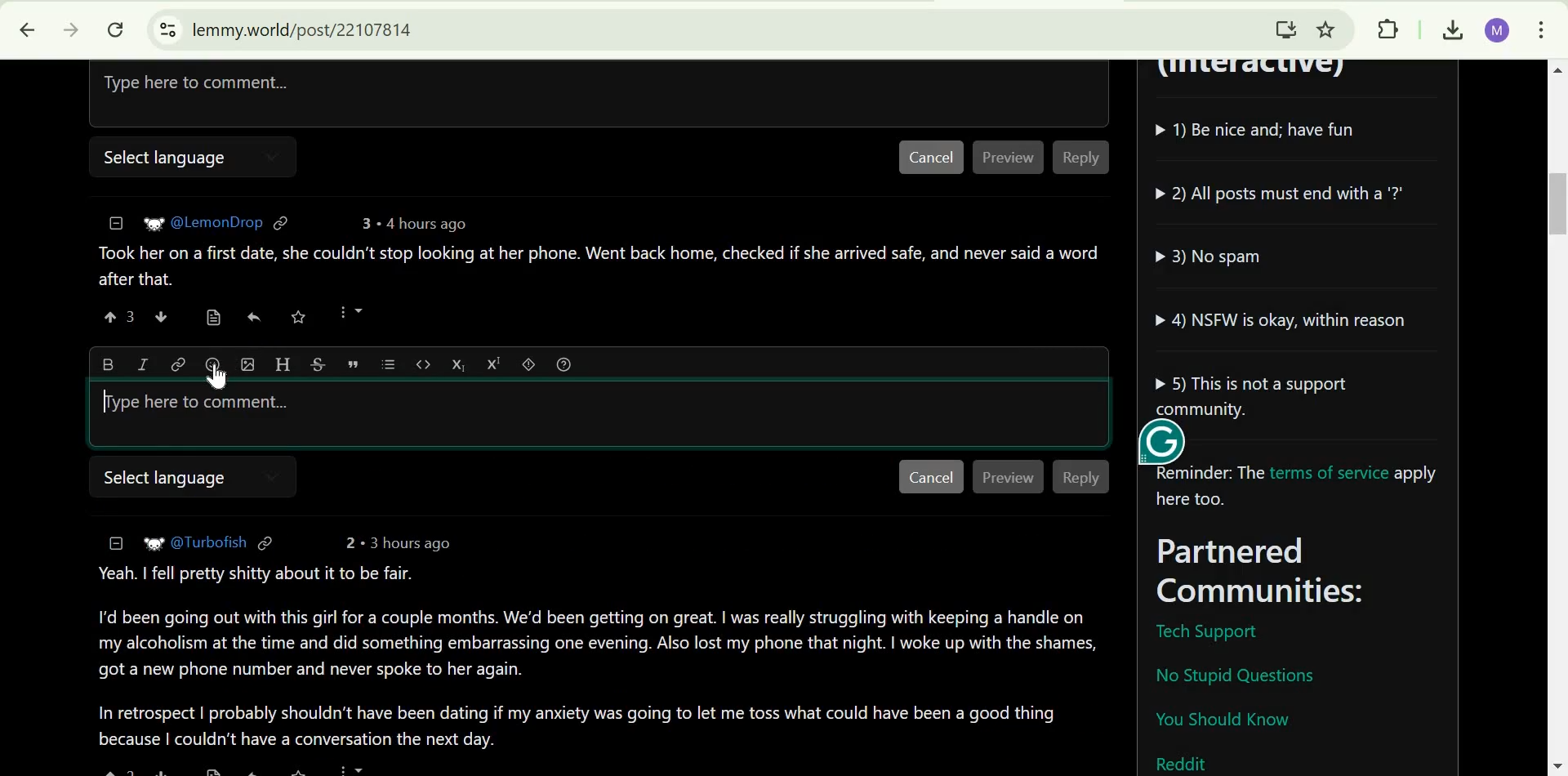 The height and width of the screenshot is (776, 1568). What do you see at coordinates (1009, 476) in the screenshot?
I see `Preview` at bounding box center [1009, 476].